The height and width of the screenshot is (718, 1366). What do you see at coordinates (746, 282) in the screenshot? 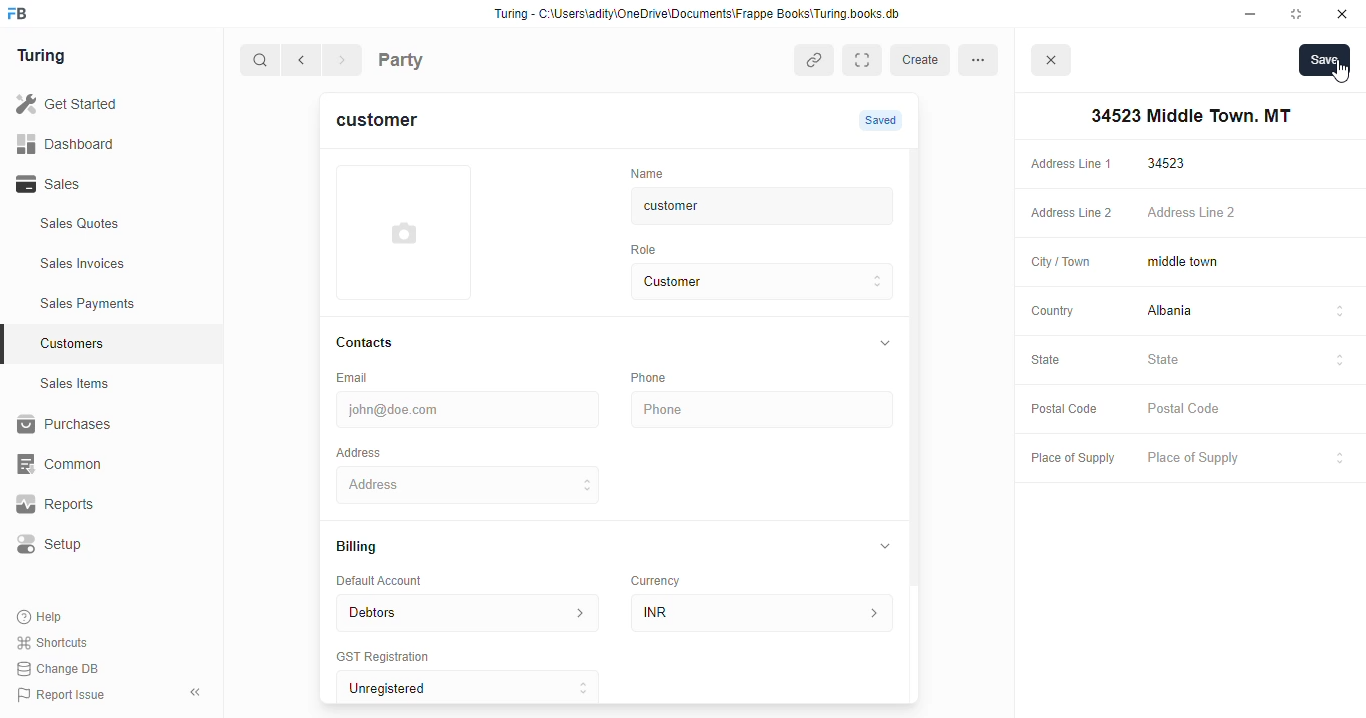
I see `Customer` at bounding box center [746, 282].